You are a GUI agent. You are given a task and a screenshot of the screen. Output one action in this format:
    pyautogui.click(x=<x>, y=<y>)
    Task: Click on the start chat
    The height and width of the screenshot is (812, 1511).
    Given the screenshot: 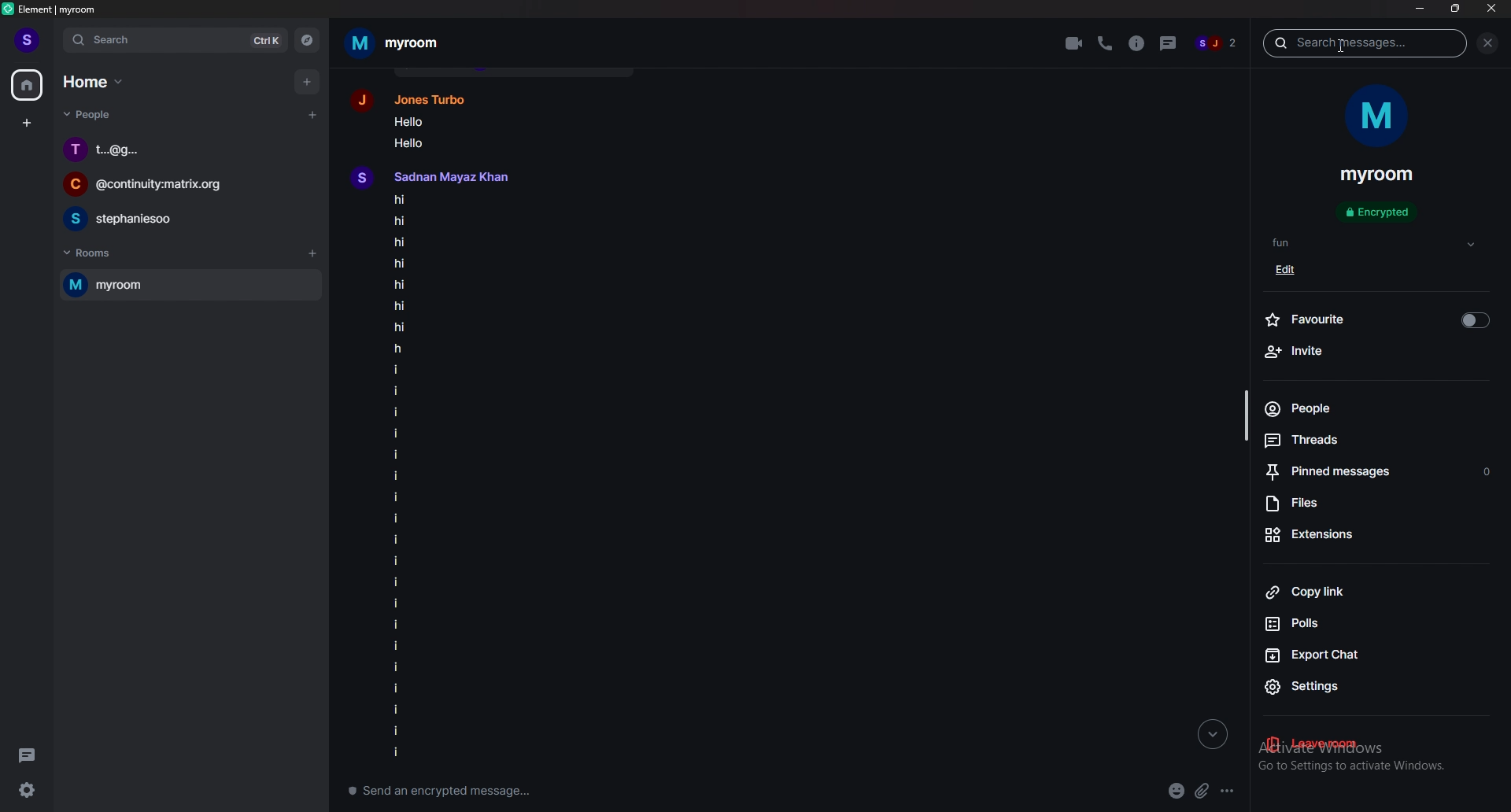 What is the action you would take?
    pyautogui.click(x=313, y=113)
    